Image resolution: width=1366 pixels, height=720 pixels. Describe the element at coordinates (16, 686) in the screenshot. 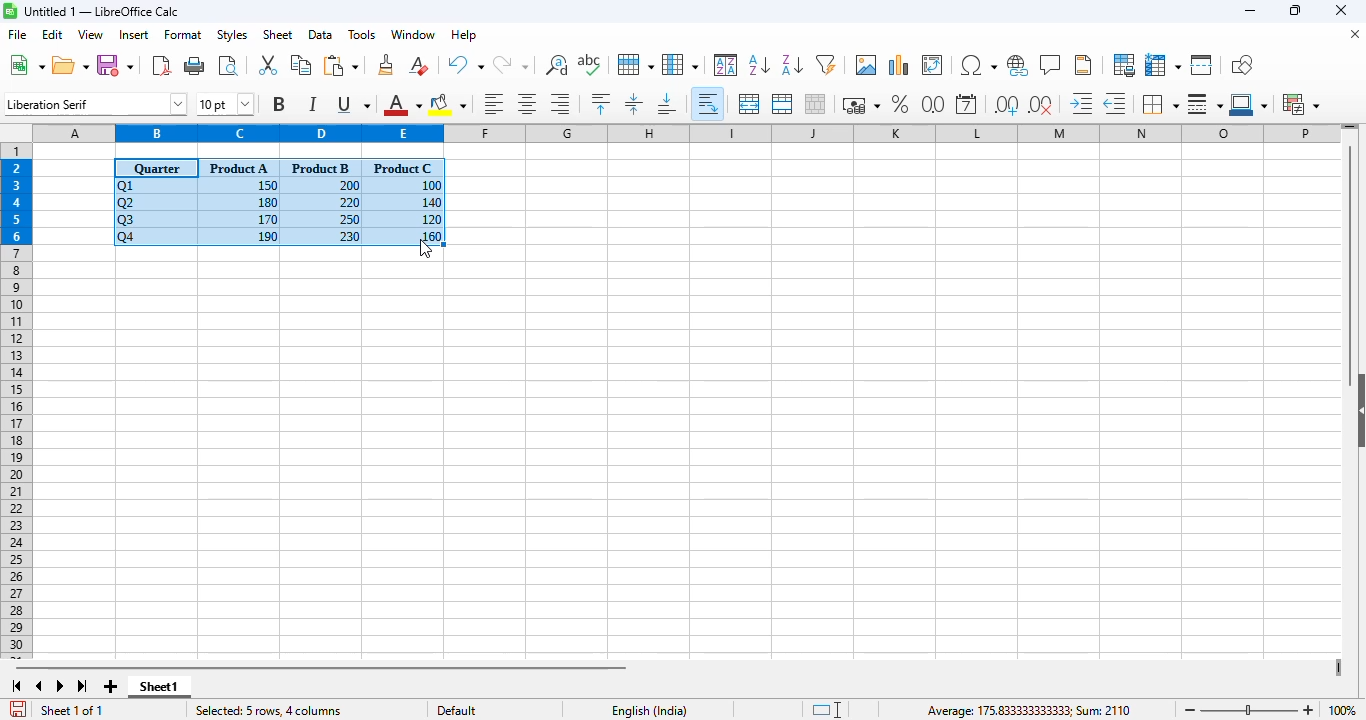

I see `scroll to first sheet` at that location.